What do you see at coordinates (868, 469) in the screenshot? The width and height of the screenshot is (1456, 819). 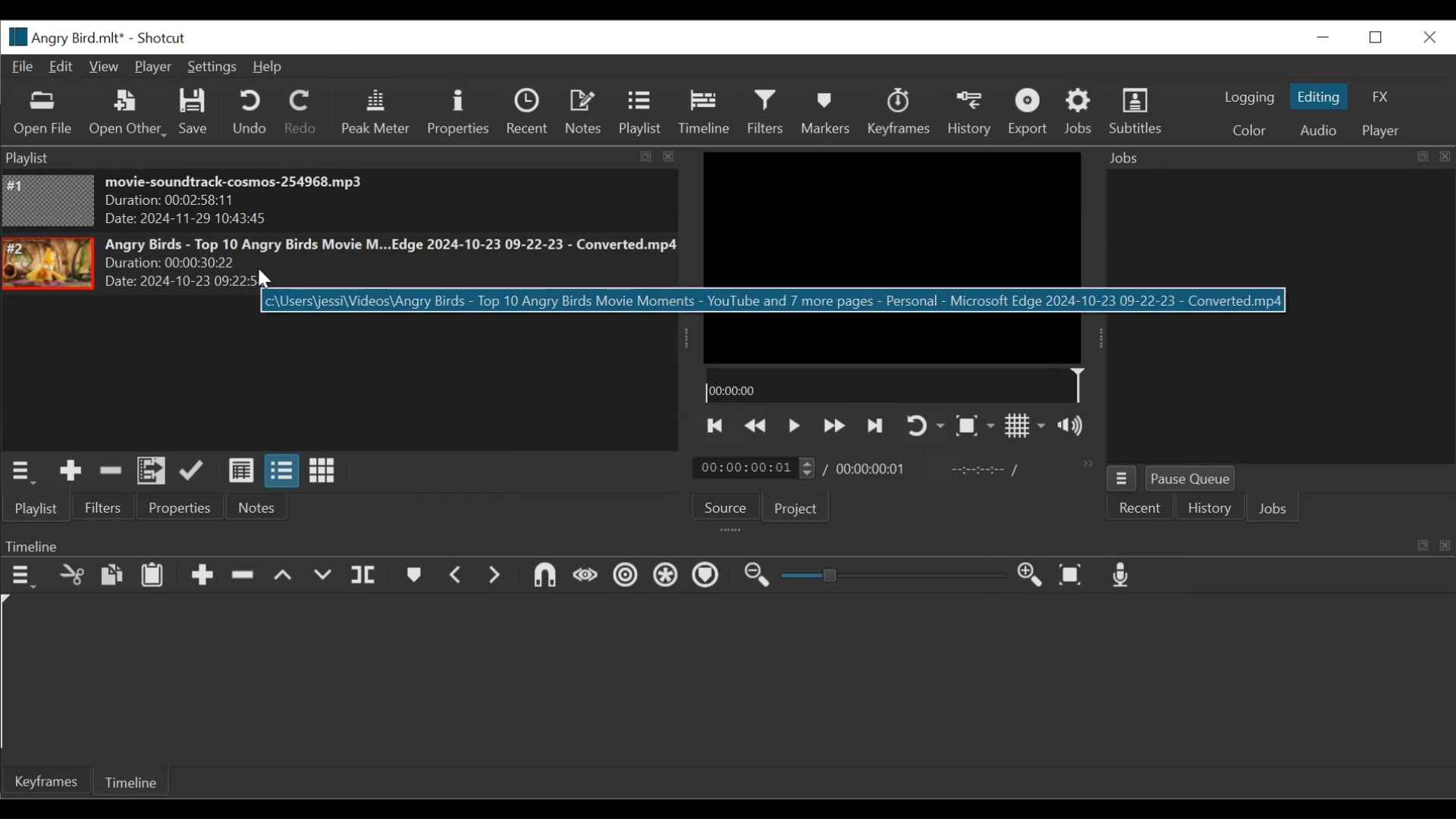 I see `00:00:00:01 (Total Duration)` at bounding box center [868, 469].